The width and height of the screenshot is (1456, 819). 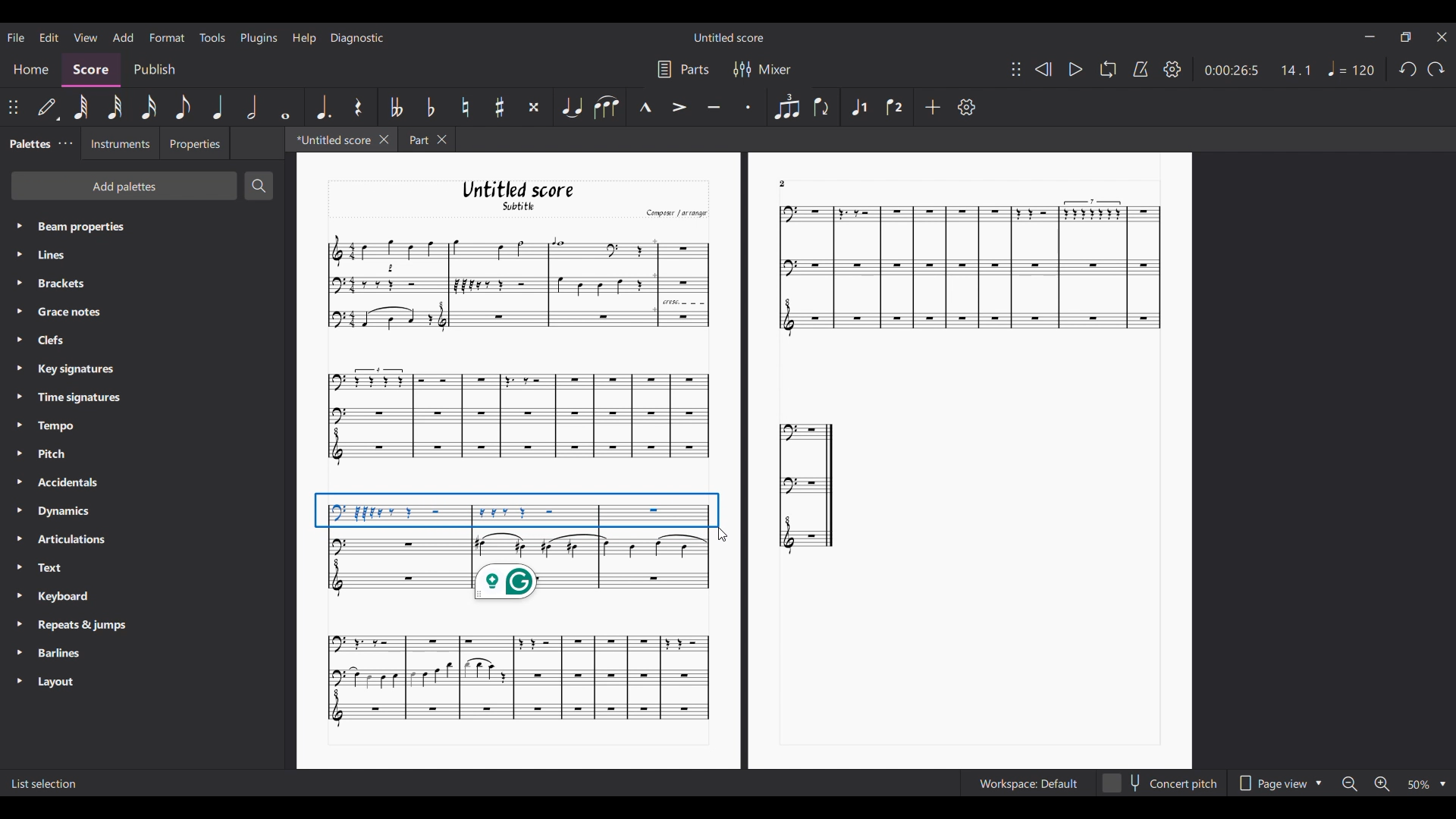 I want to click on > Dynamics, so click(x=61, y=513).